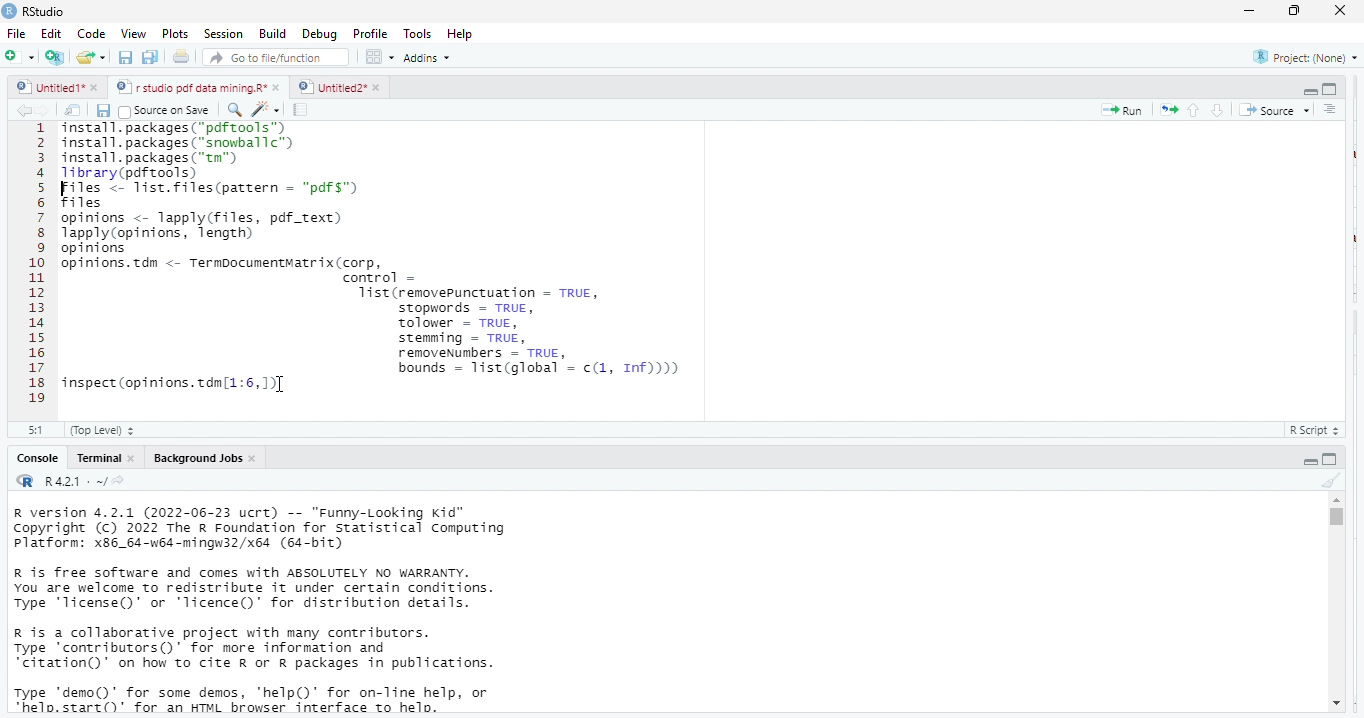 Image resolution: width=1364 pixels, height=718 pixels. Describe the element at coordinates (47, 110) in the screenshot. I see `go forward to the next source location` at that location.